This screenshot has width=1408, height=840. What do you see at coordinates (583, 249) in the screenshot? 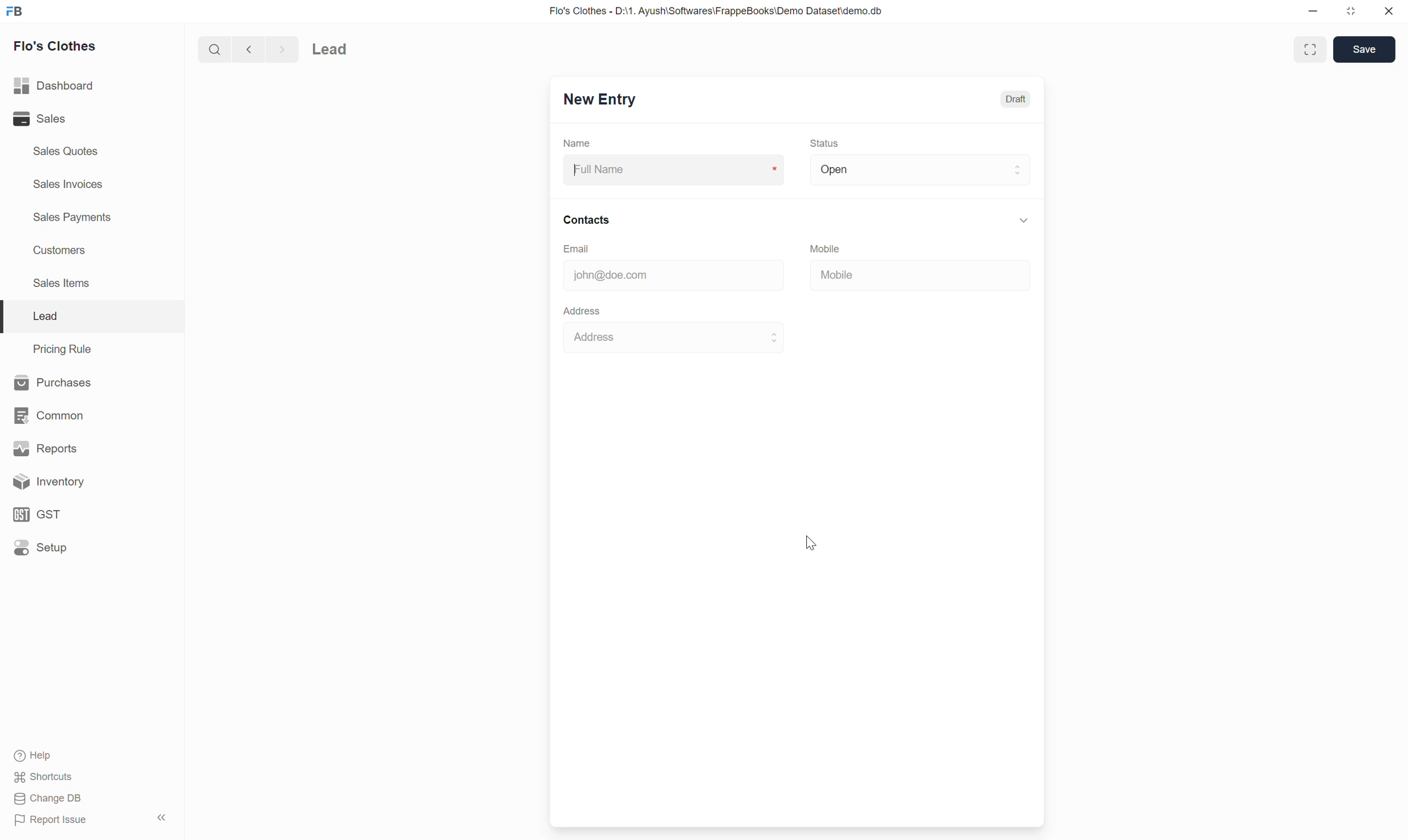
I see `Email` at bounding box center [583, 249].